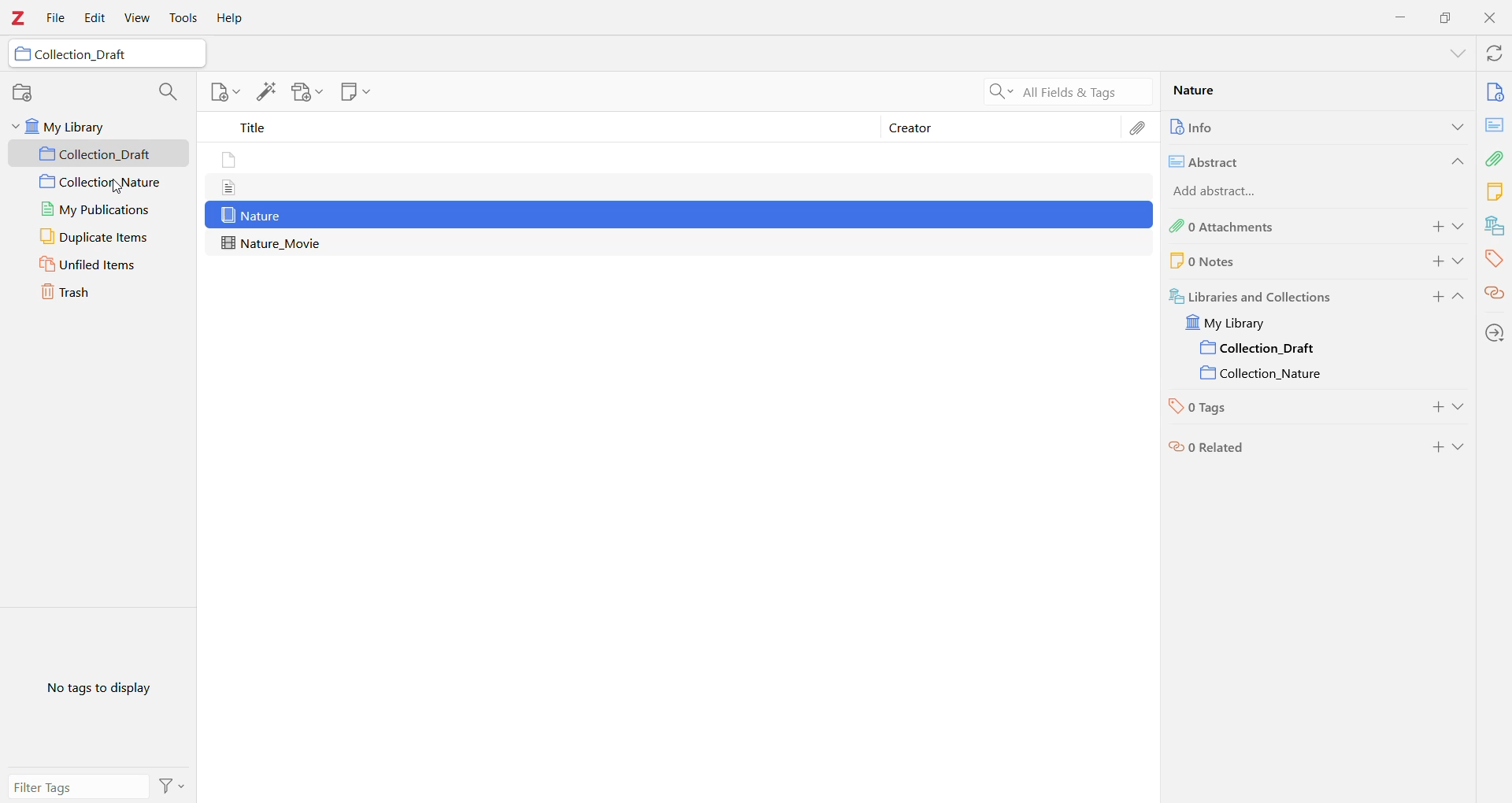 This screenshot has height=803, width=1512. What do you see at coordinates (1495, 191) in the screenshot?
I see `Notes` at bounding box center [1495, 191].